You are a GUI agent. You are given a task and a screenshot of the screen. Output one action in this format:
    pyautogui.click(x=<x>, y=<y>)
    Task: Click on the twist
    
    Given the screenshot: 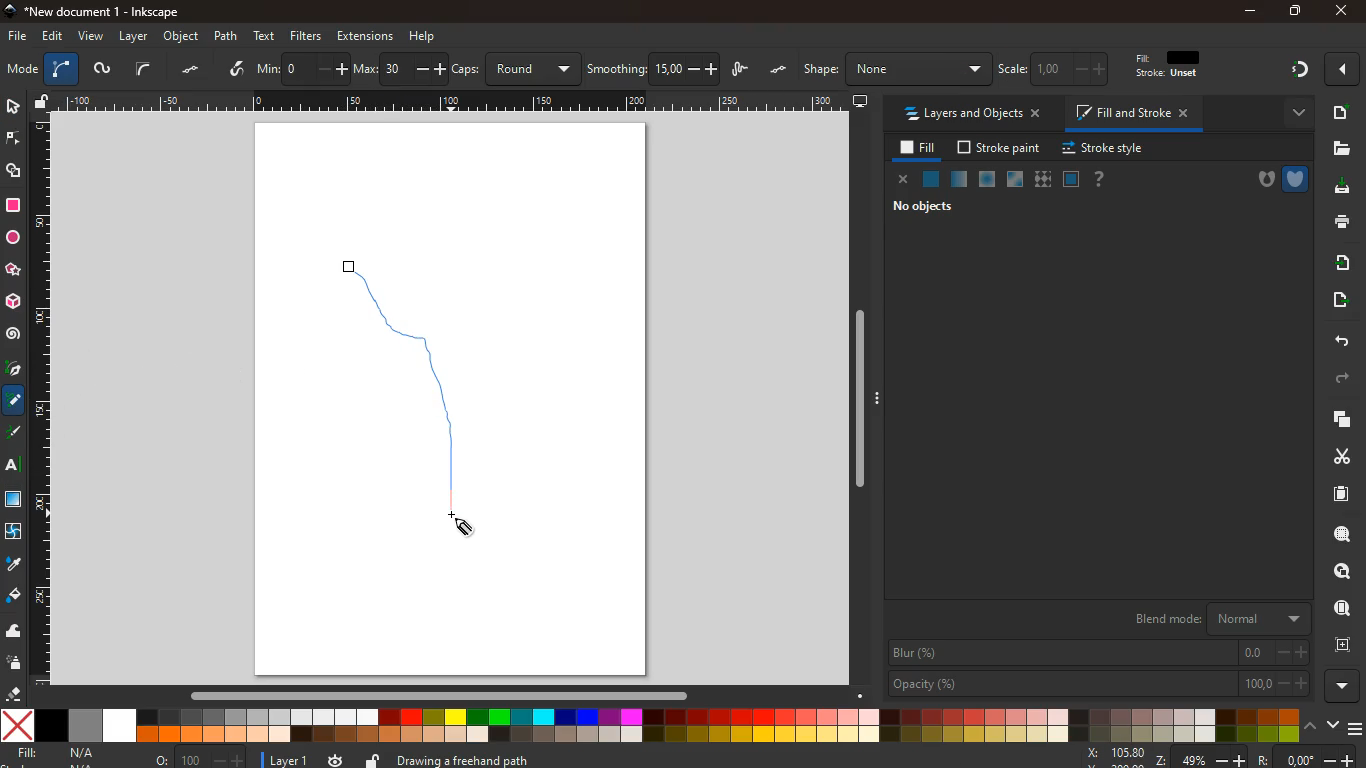 What is the action you would take?
    pyautogui.click(x=15, y=532)
    